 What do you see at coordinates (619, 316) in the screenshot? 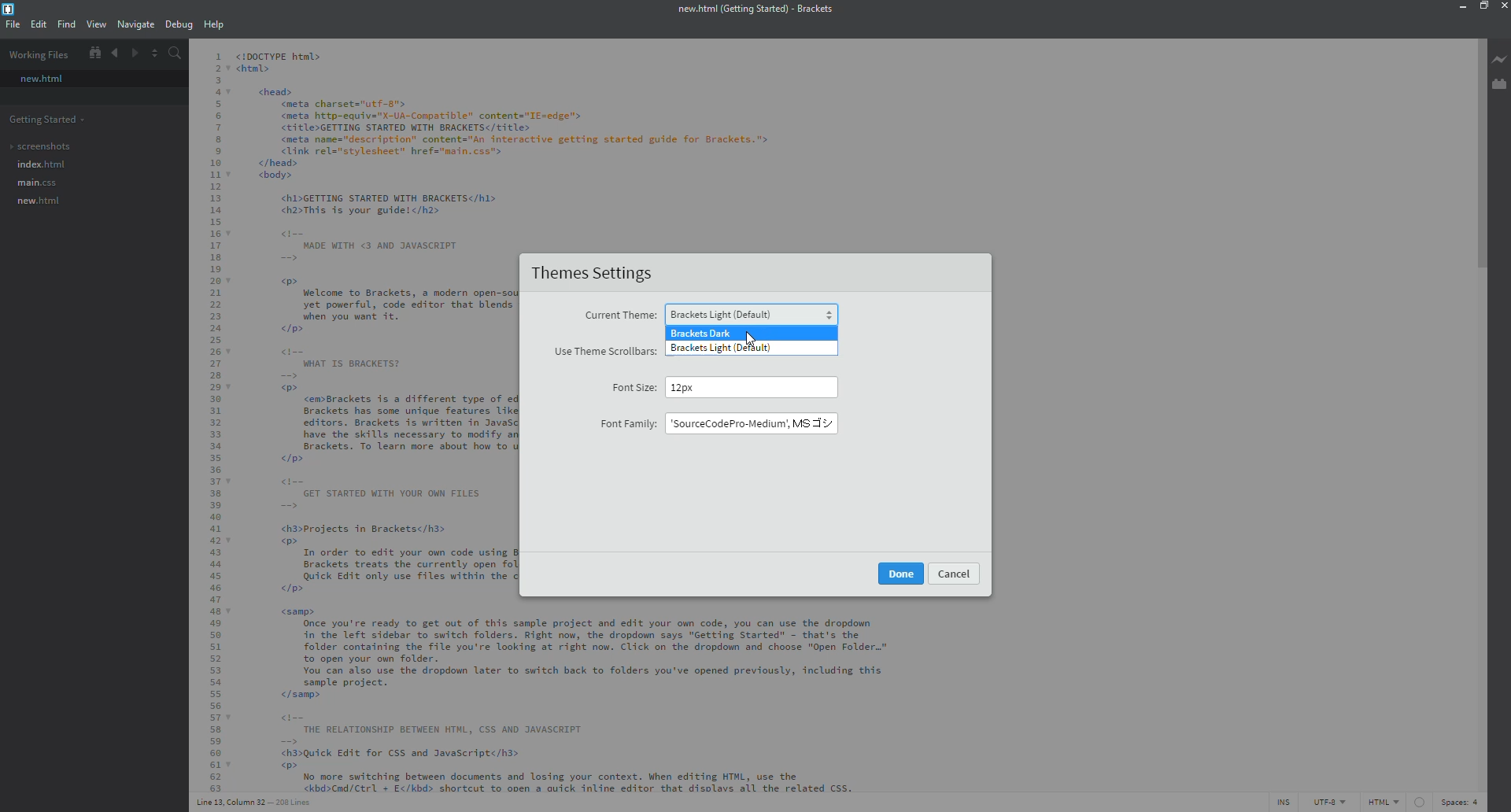
I see `current theme` at bounding box center [619, 316].